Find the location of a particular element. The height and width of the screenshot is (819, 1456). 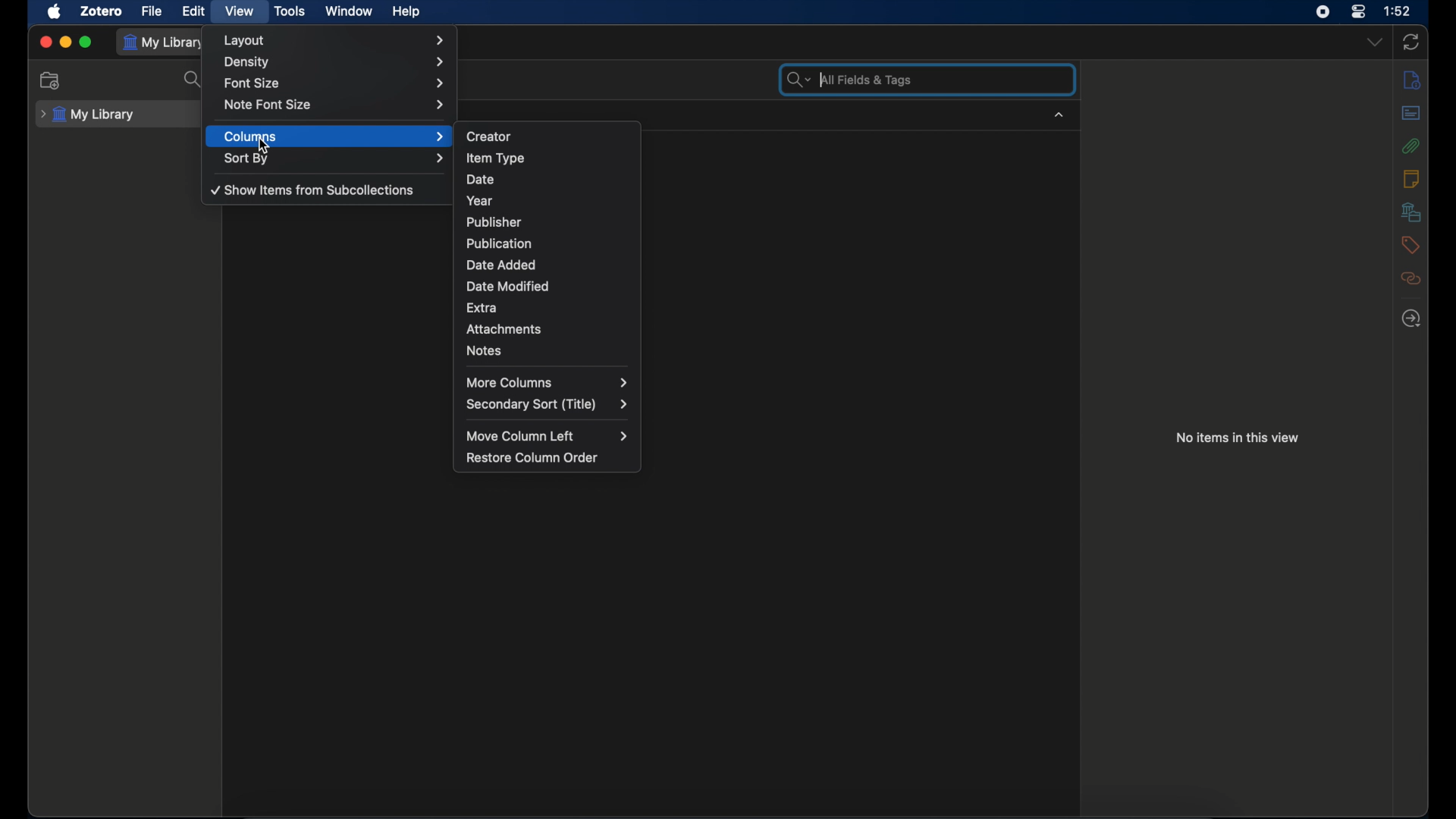

move column left menu is located at coordinates (551, 437).